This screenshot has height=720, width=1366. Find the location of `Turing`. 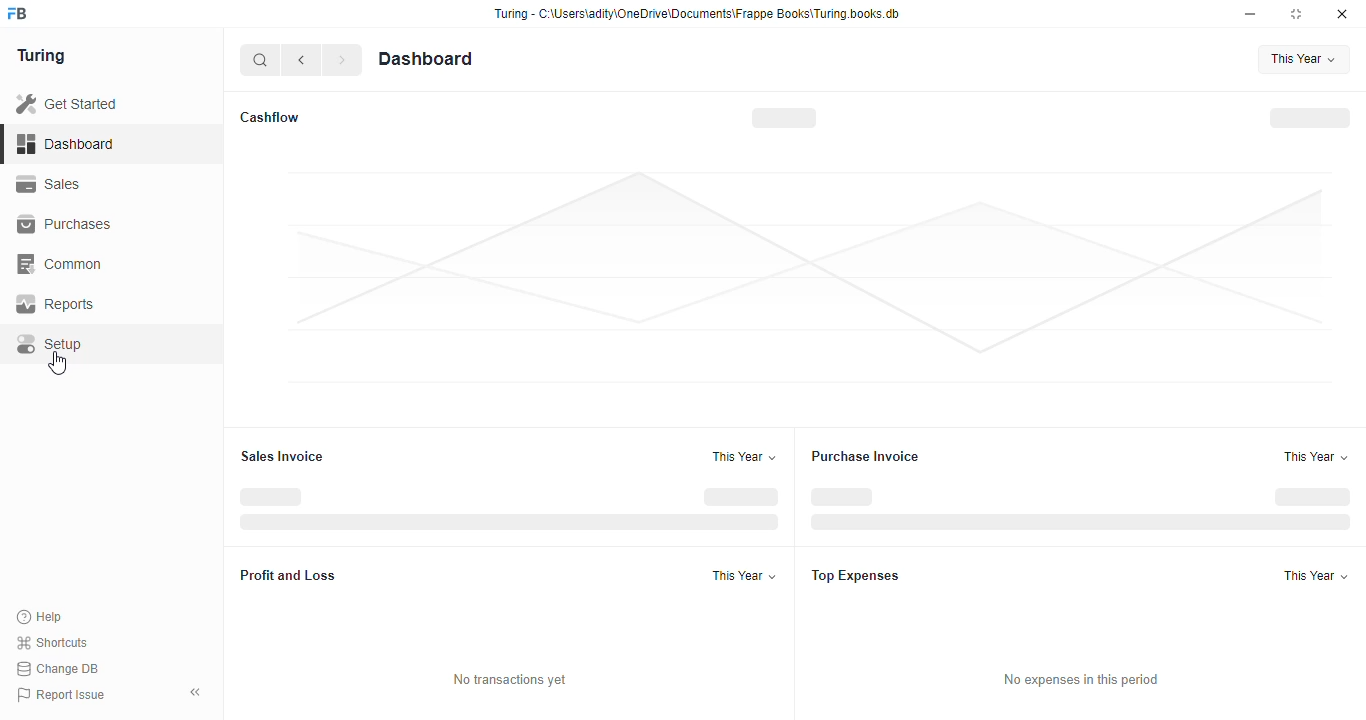

Turing is located at coordinates (47, 56).